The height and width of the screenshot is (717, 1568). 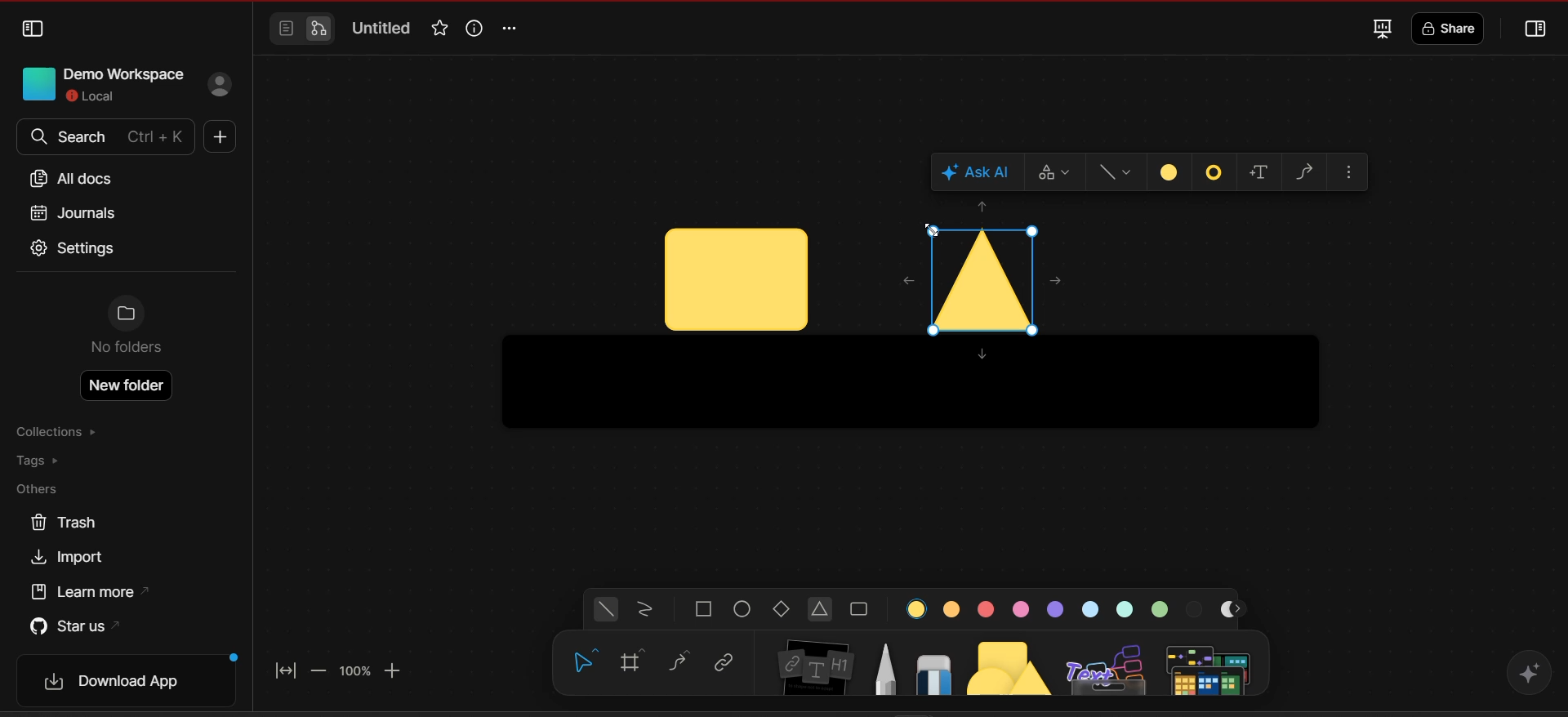 What do you see at coordinates (74, 250) in the screenshot?
I see `settings` at bounding box center [74, 250].